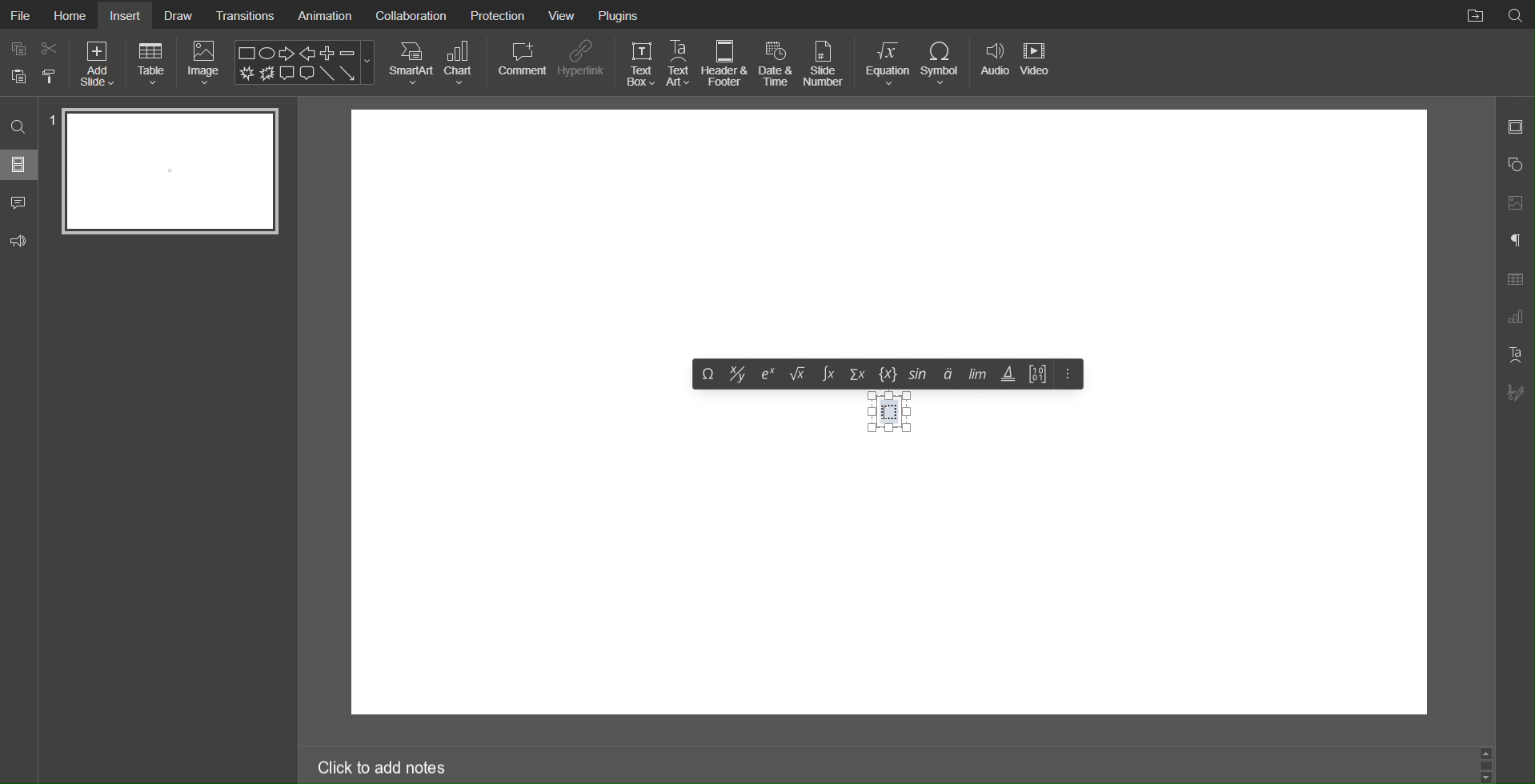 The height and width of the screenshot is (784, 1535). I want to click on Plugins, so click(617, 15).